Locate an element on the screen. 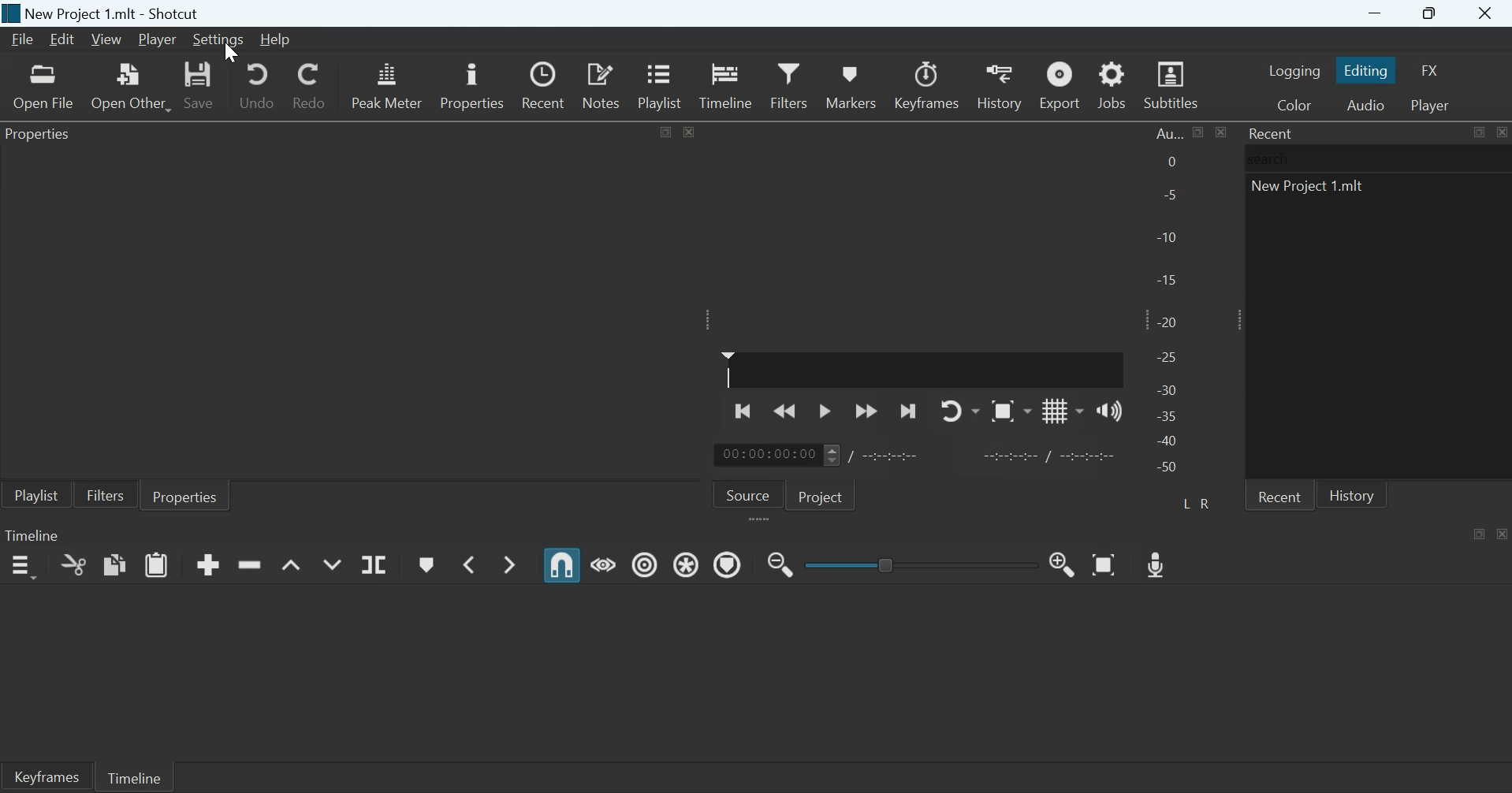  Toggle grid display on the player is located at coordinates (1063, 410).